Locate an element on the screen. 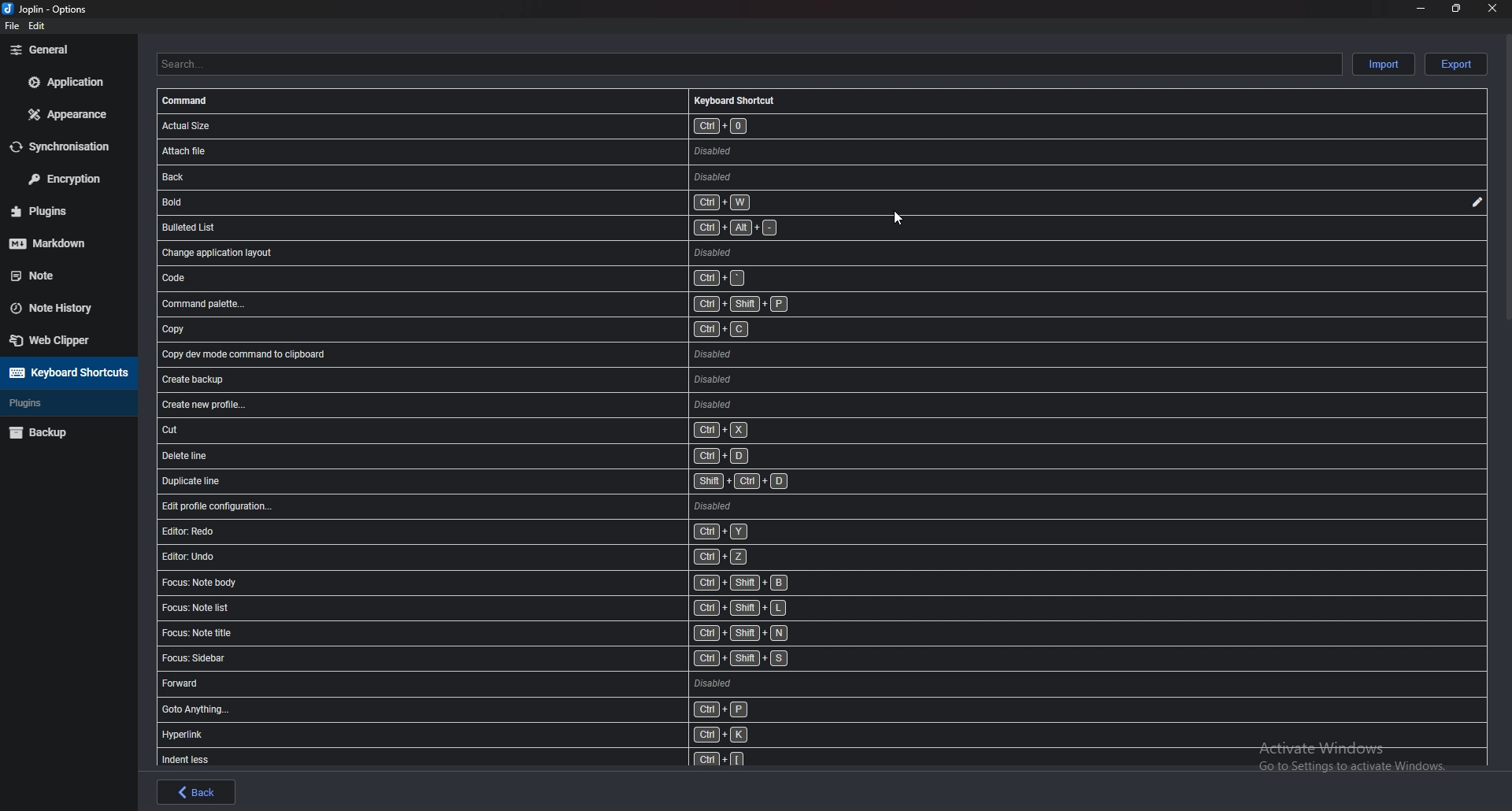 This screenshot has width=1512, height=811. markdown is located at coordinates (61, 243).